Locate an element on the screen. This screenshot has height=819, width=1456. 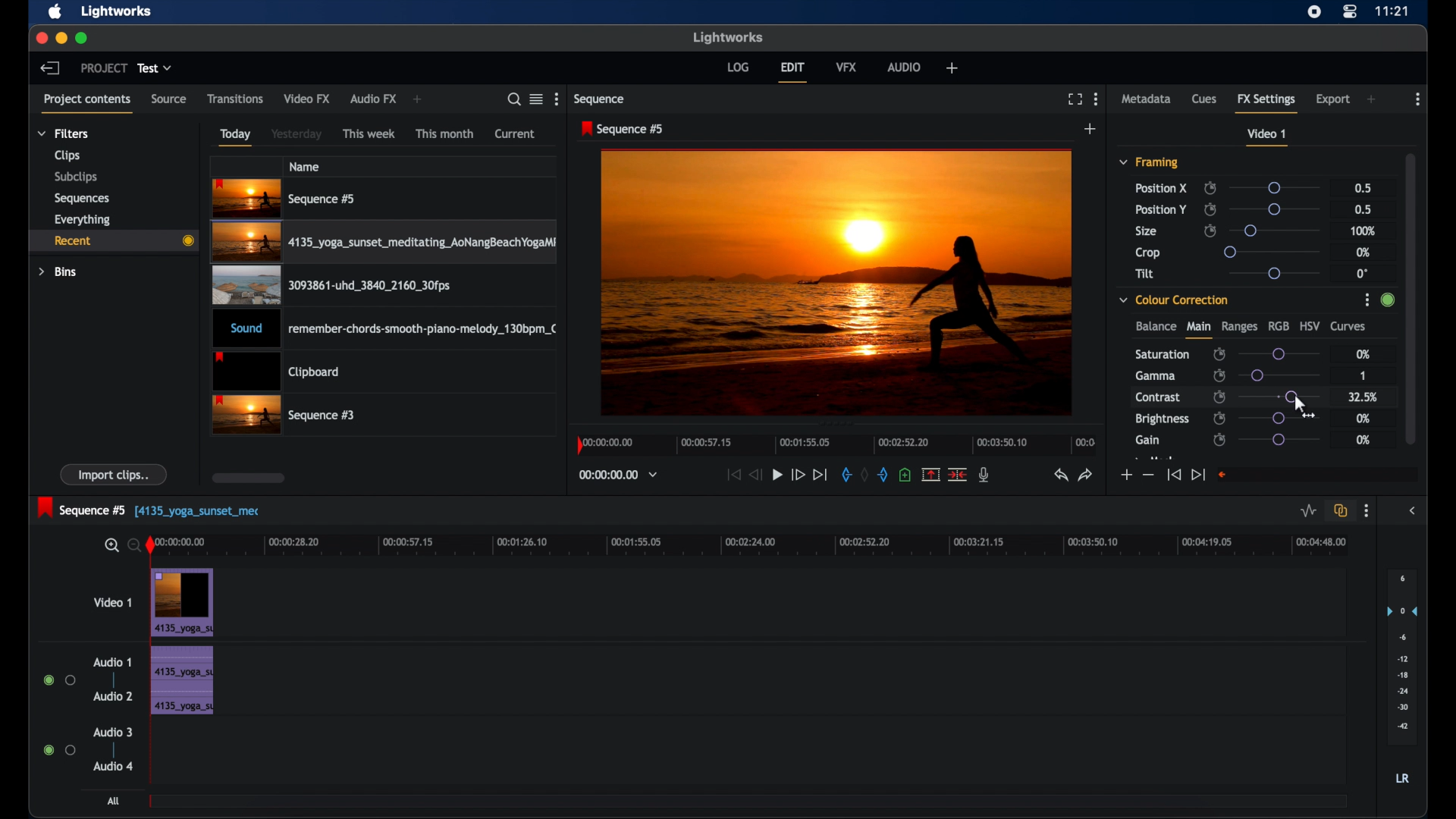
video clip is located at coordinates (329, 288).